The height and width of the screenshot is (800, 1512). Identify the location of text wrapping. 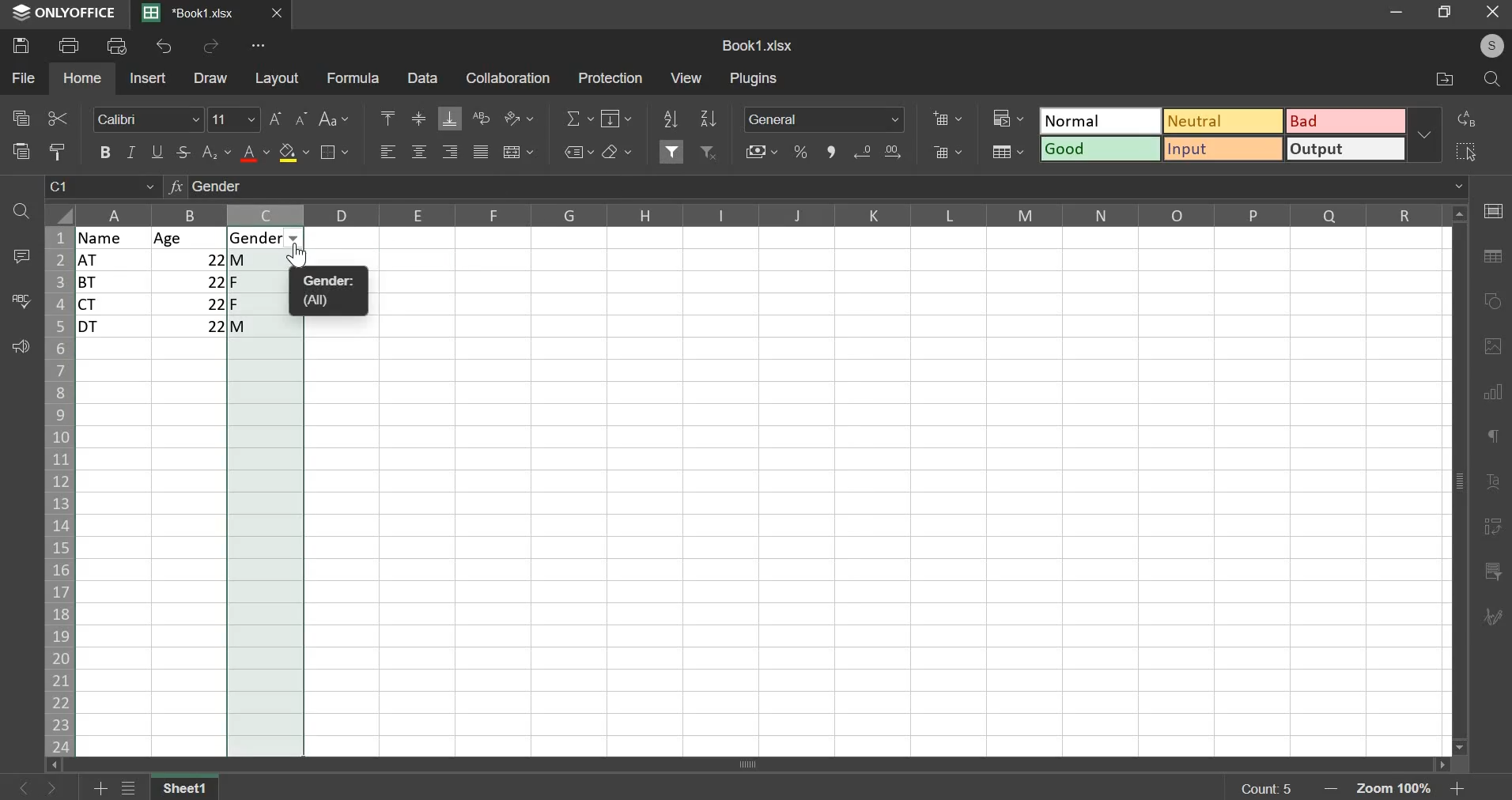
(481, 117).